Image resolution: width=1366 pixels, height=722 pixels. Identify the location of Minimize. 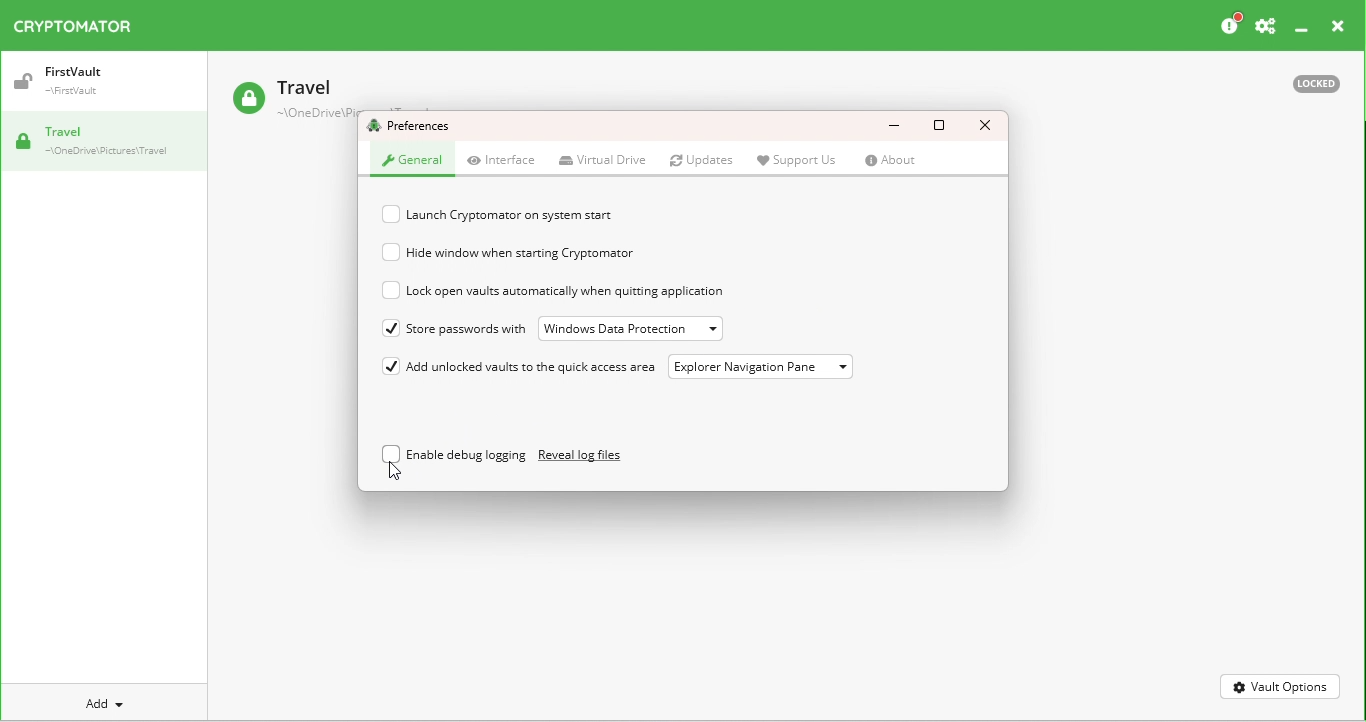
(893, 123).